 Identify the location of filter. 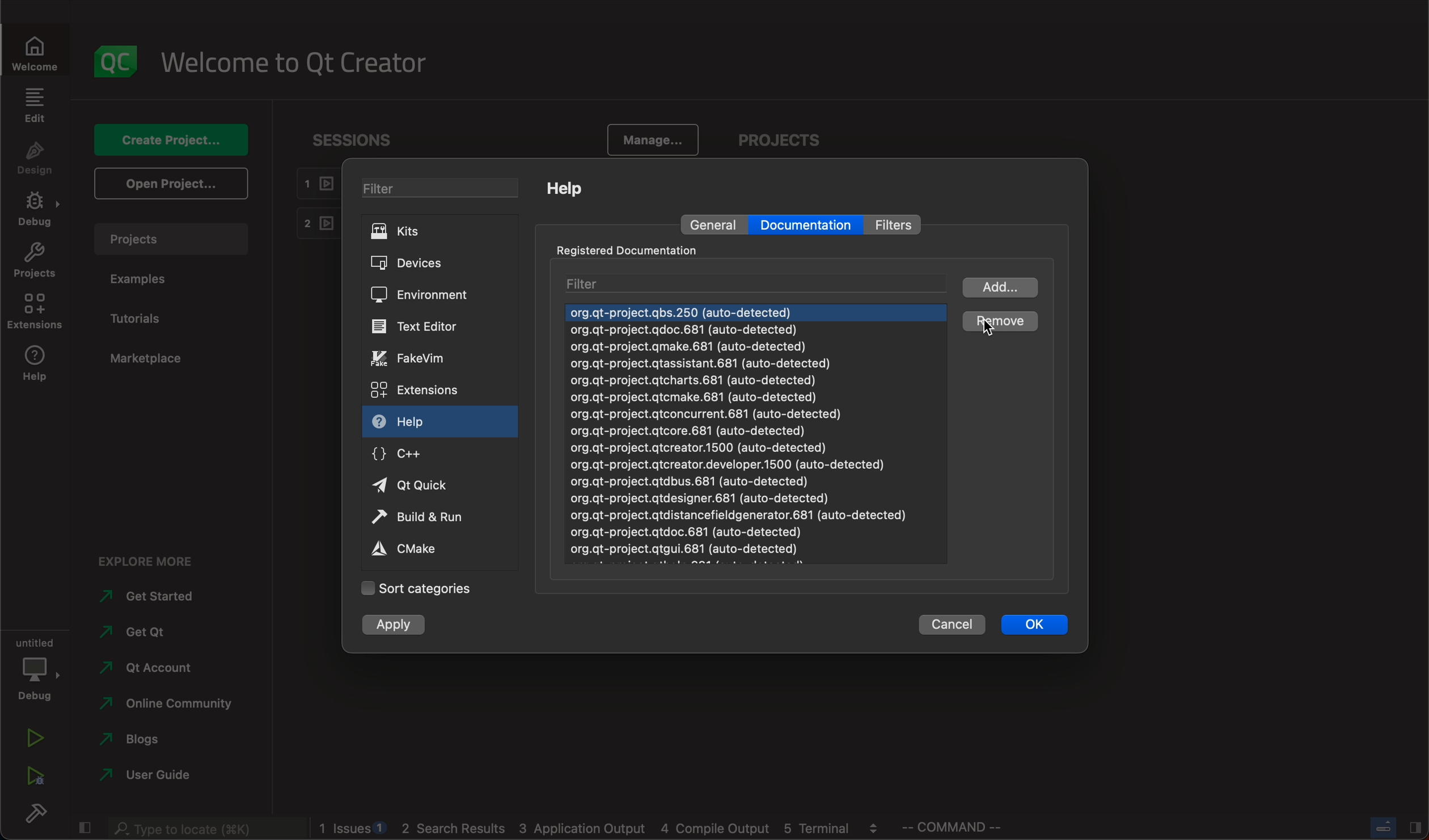
(902, 223).